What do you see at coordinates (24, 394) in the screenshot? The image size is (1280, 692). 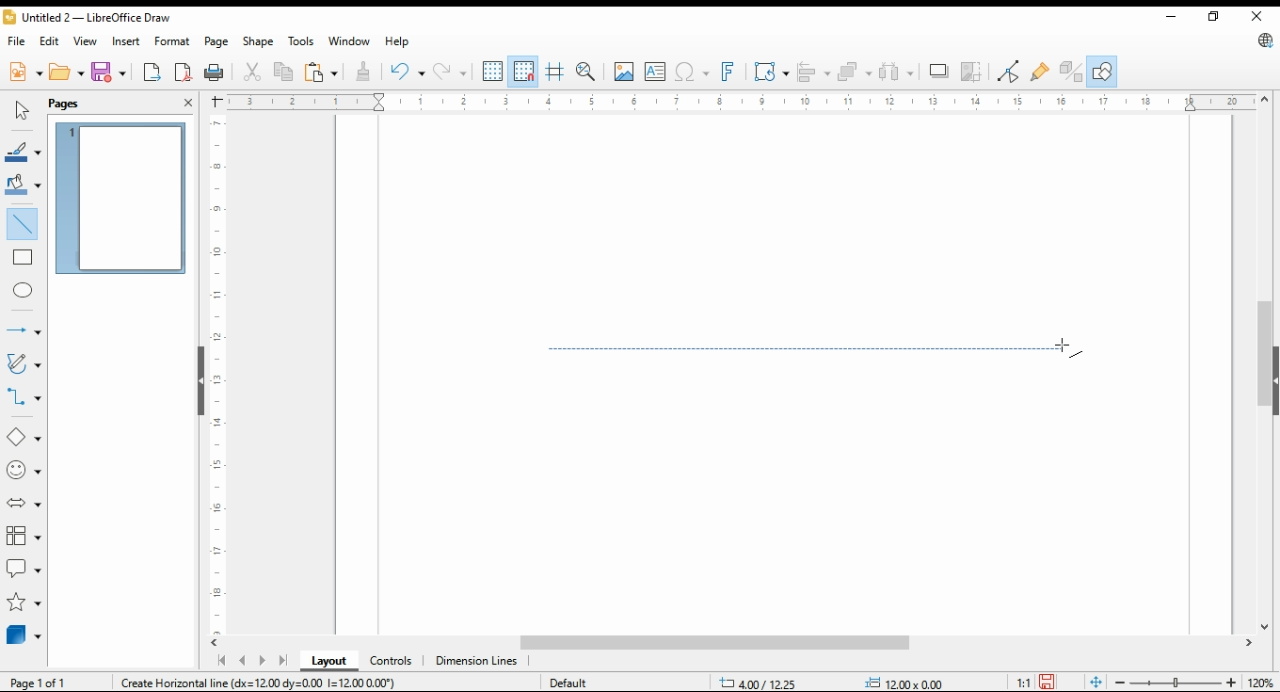 I see `connectors` at bounding box center [24, 394].